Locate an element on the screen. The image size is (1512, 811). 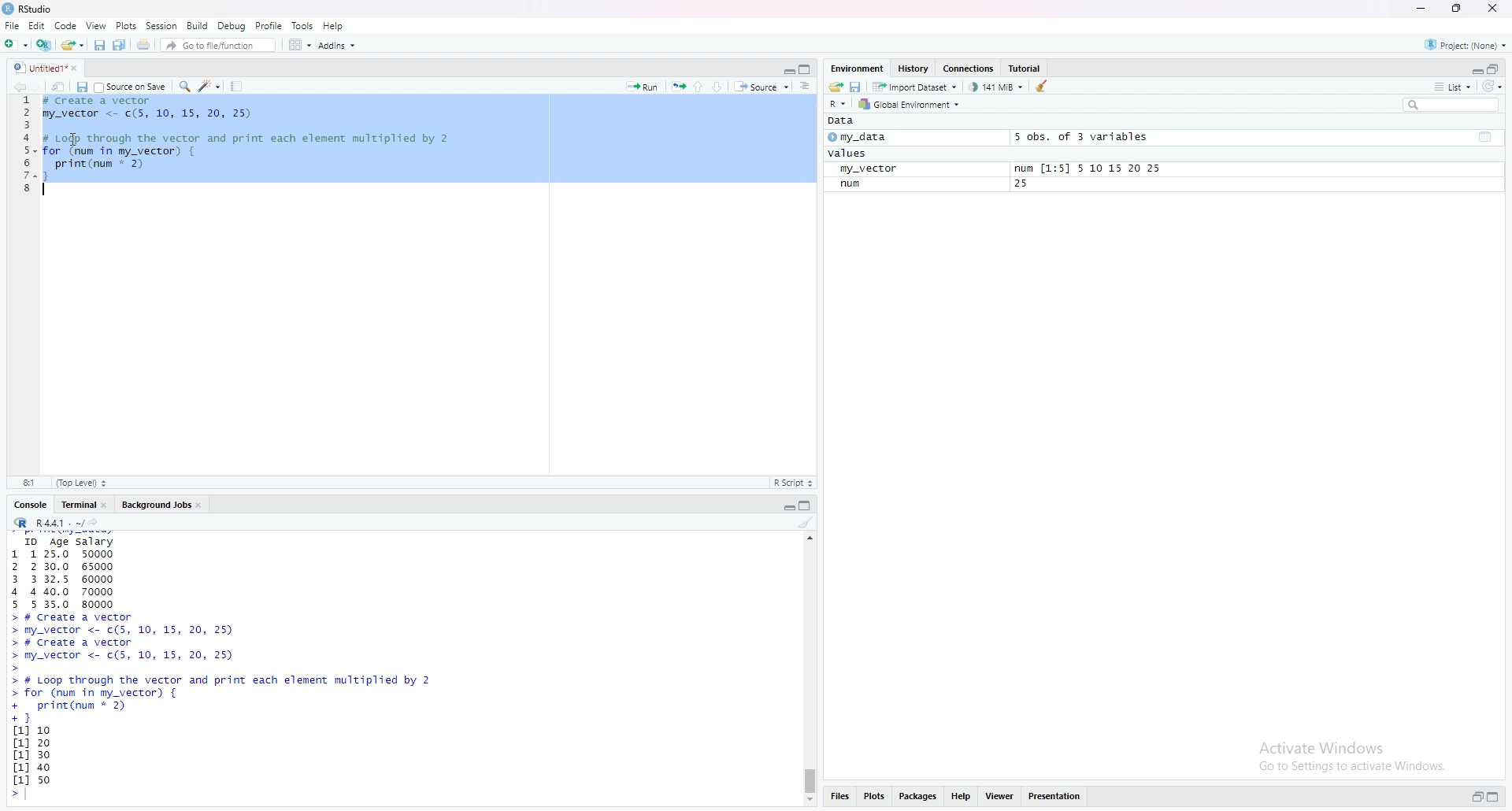
compile report is located at coordinates (238, 86).